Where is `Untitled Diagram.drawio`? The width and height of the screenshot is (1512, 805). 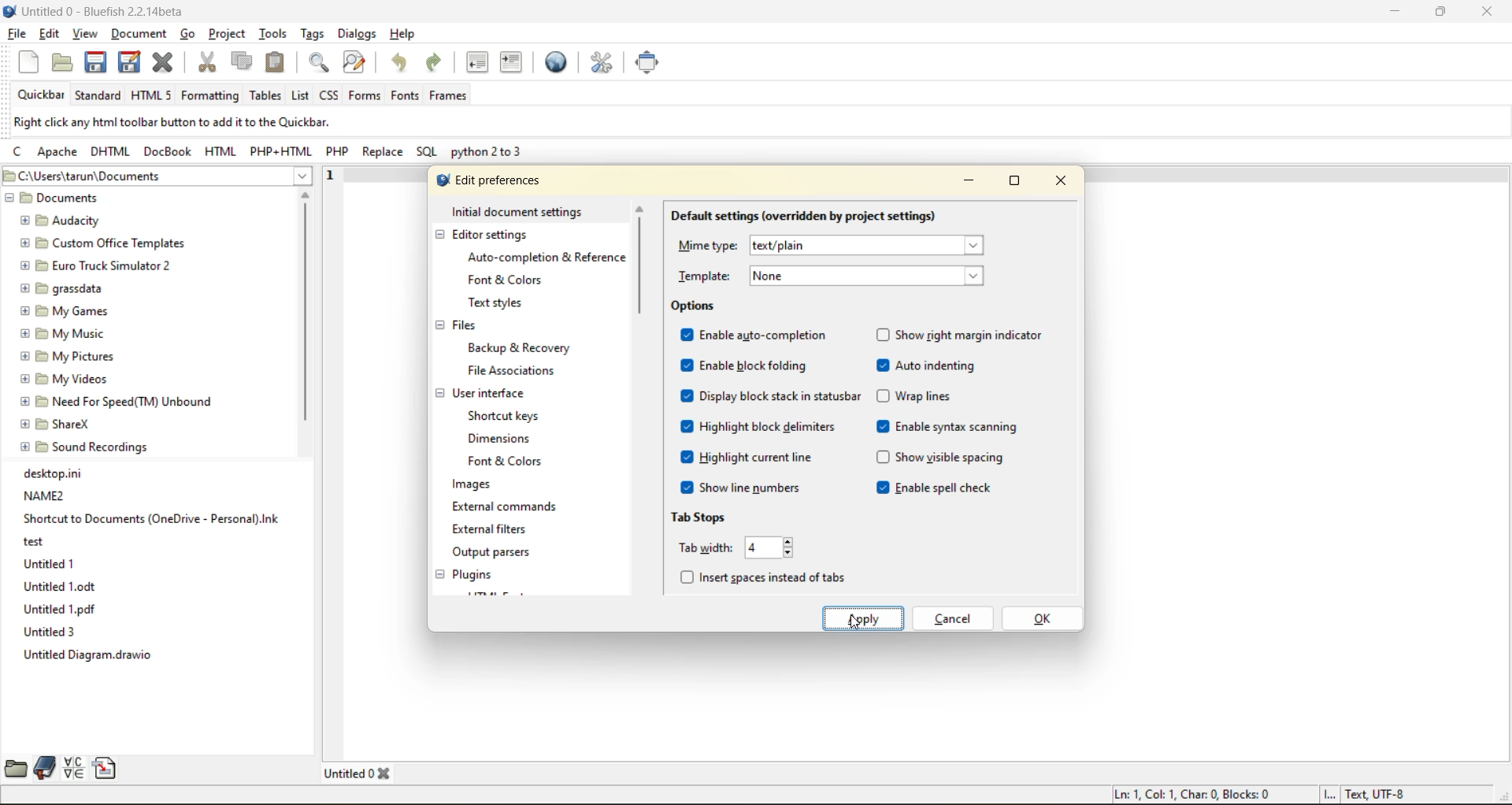
Untitled Diagram.drawio is located at coordinates (94, 657).